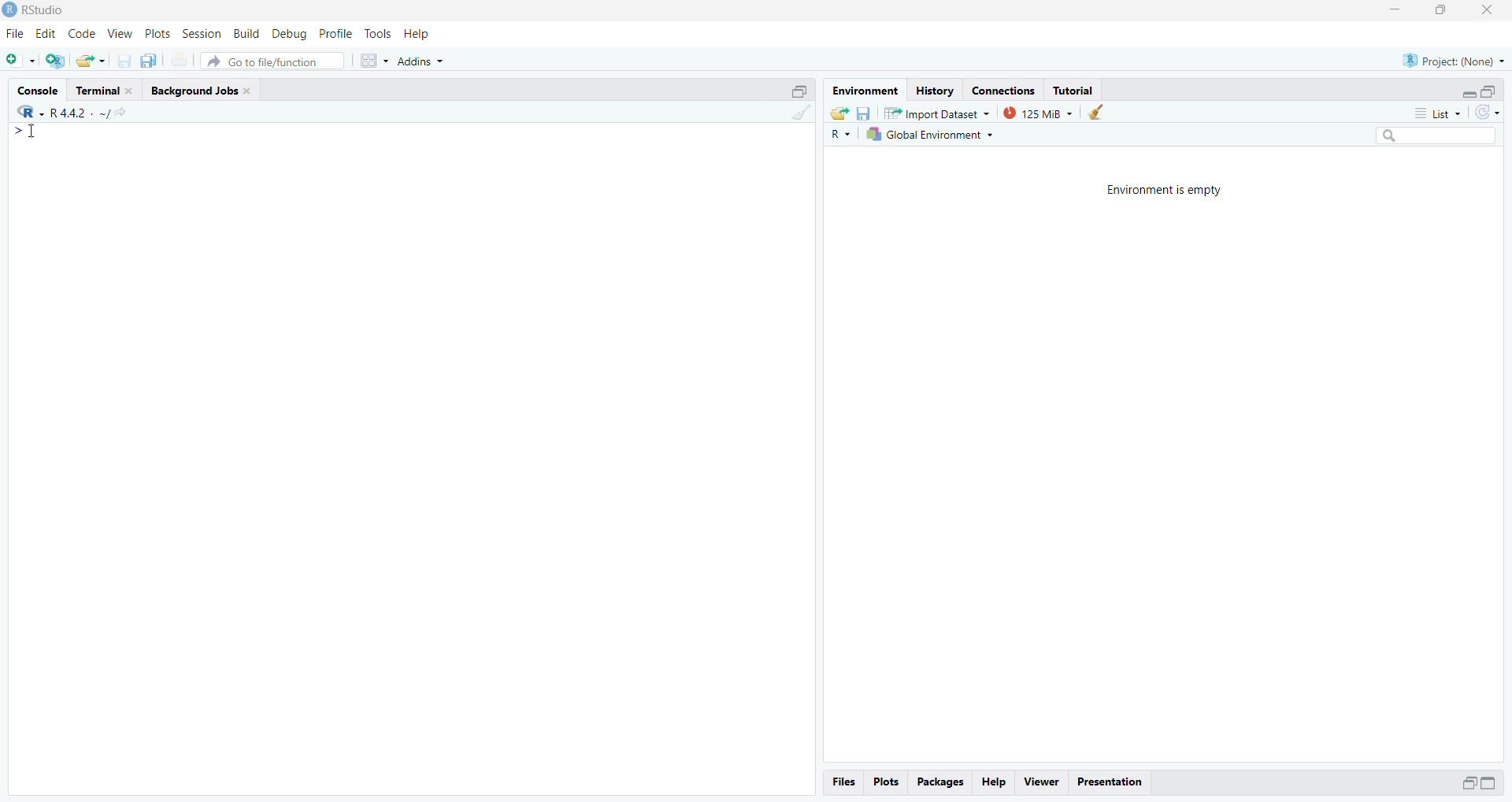 This screenshot has width=1512, height=802. What do you see at coordinates (1396, 9) in the screenshot?
I see `minimize` at bounding box center [1396, 9].